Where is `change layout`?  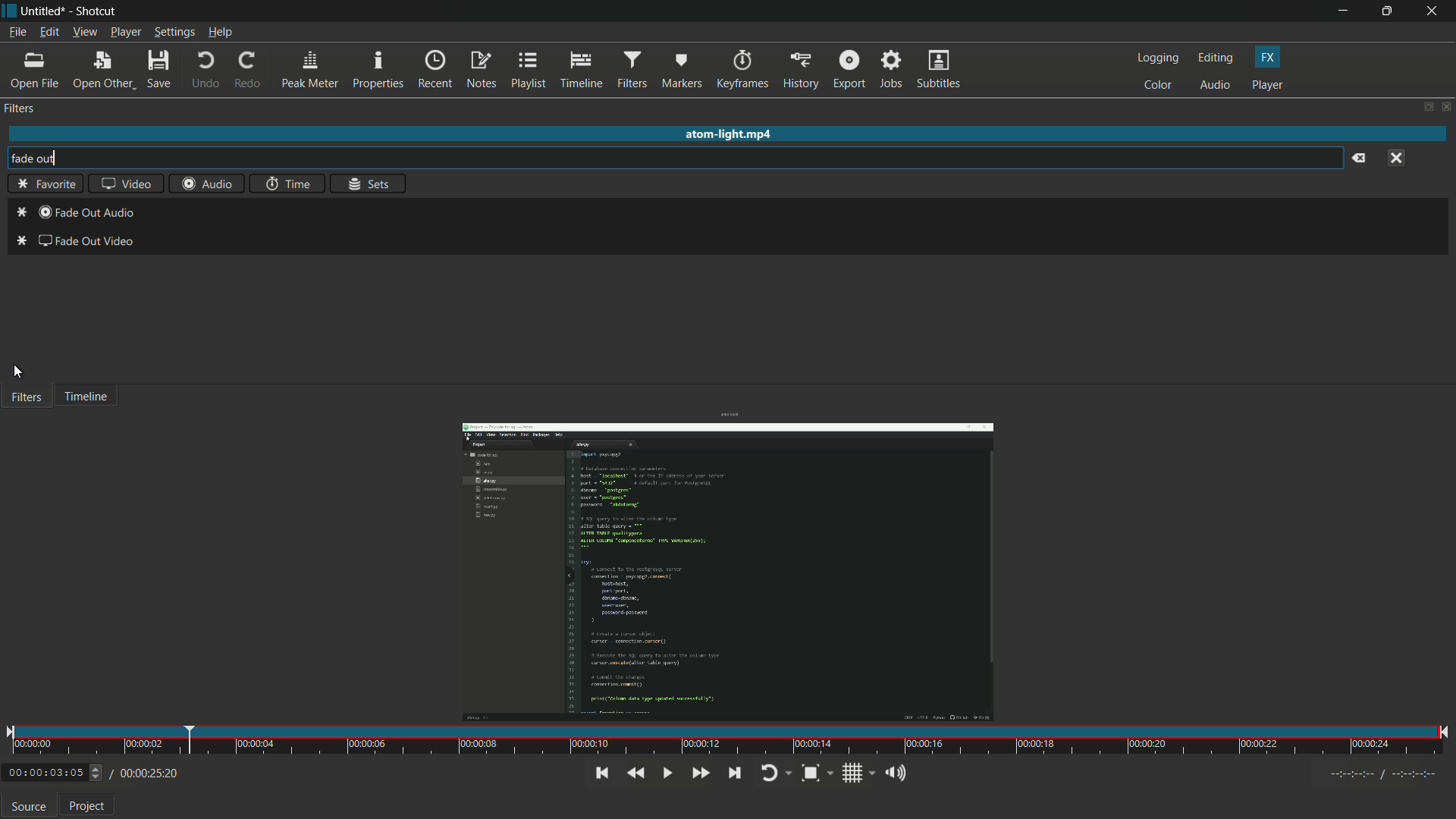 change layout is located at coordinates (1426, 108).